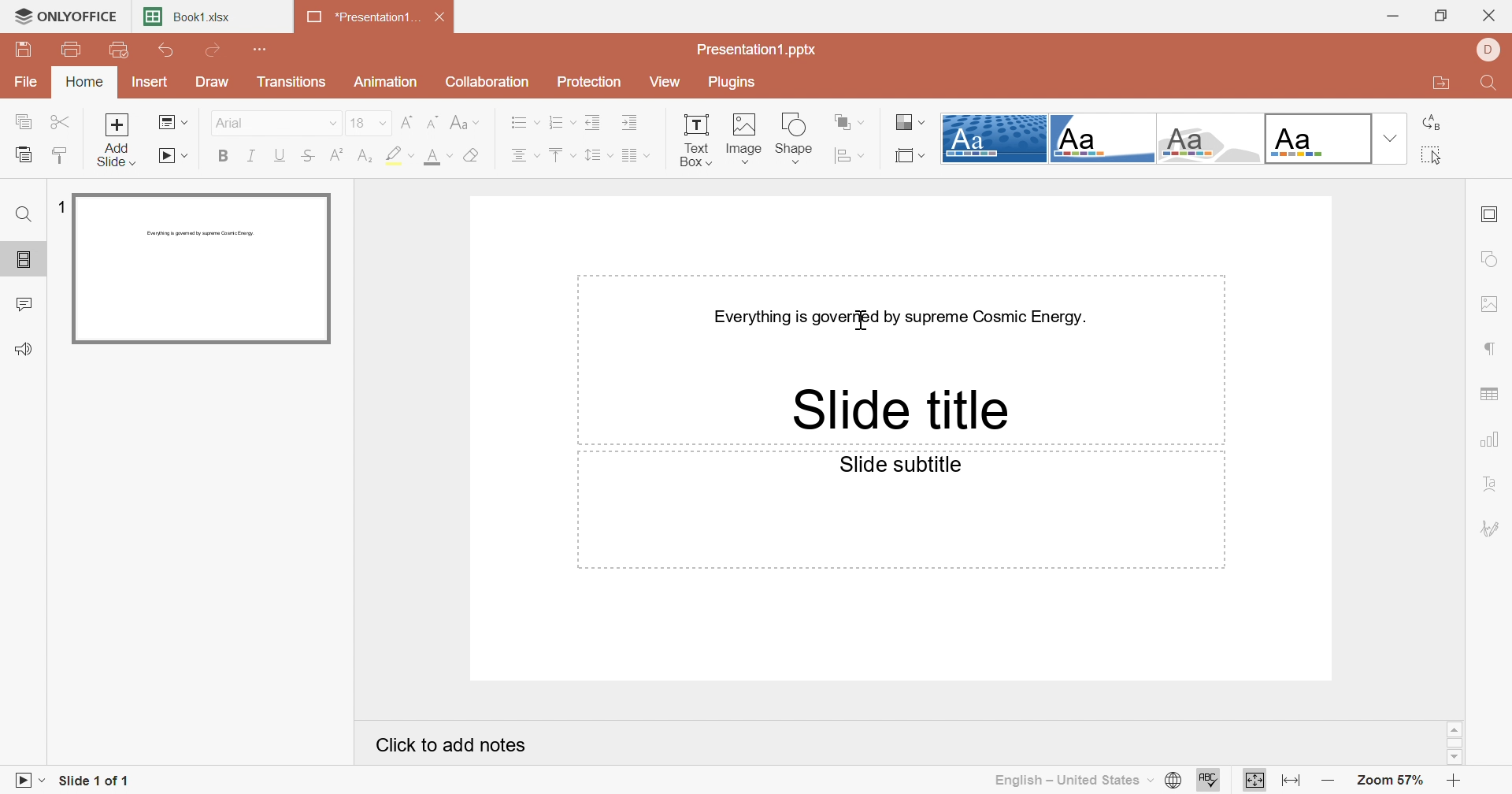 The image size is (1512, 794). Describe the element at coordinates (1456, 744) in the screenshot. I see `Scroll Bar` at that location.